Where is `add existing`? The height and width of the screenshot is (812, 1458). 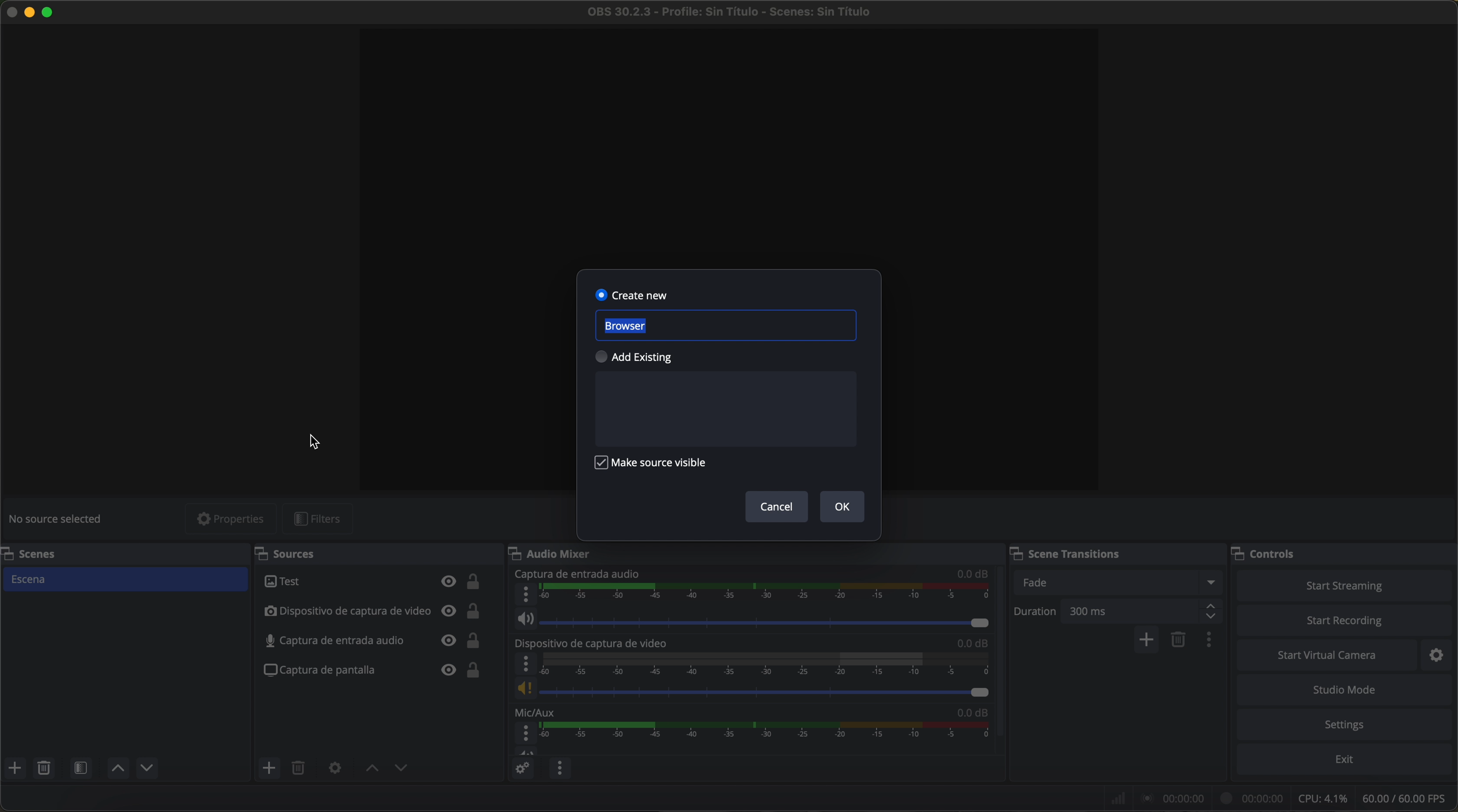
add existing is located at coordinates (641, 358).